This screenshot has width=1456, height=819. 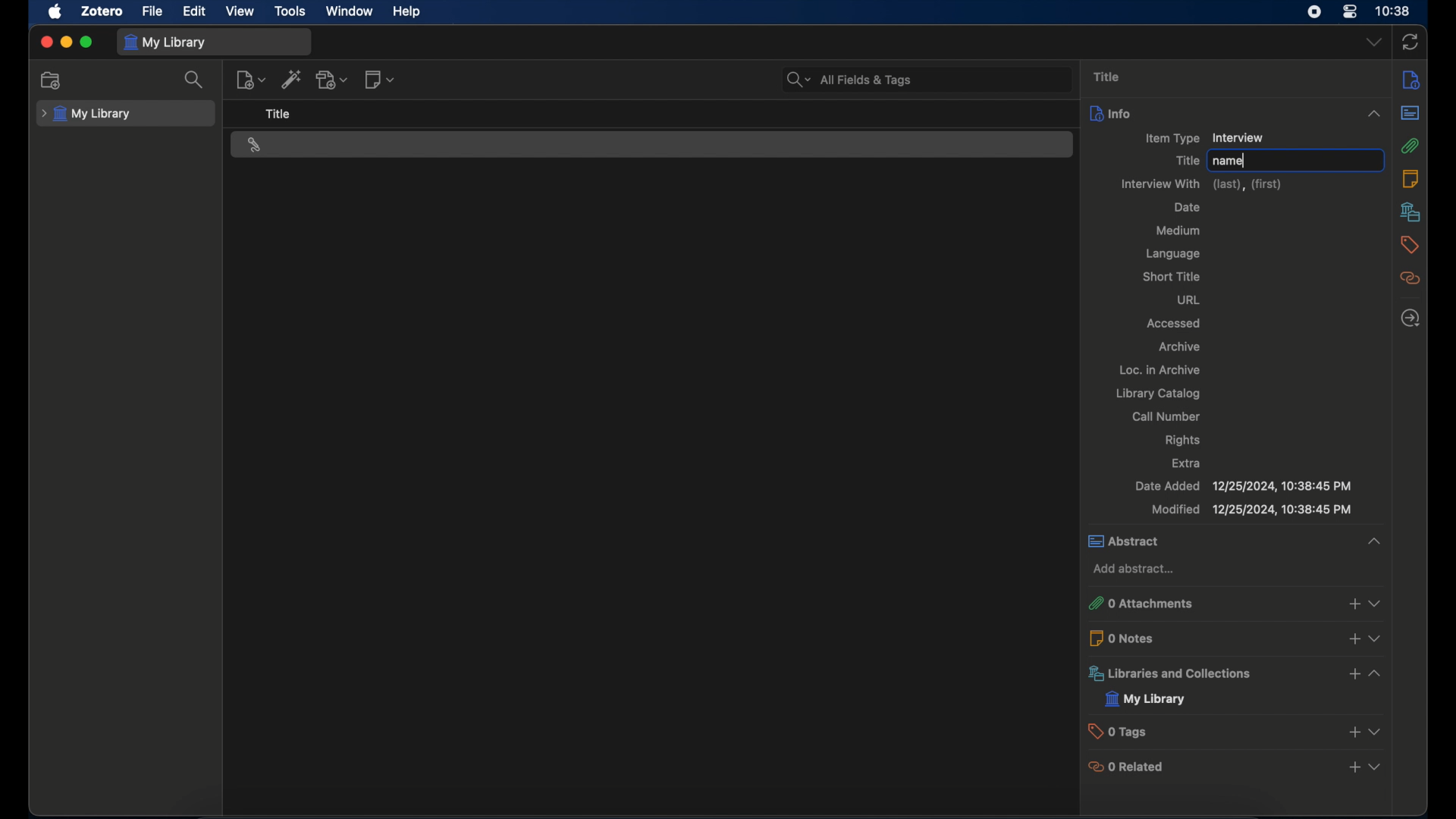 What do you see at coordinates (1200, 184) in the screenshot?
I see `interview with` at bounding box center [1200, 184].